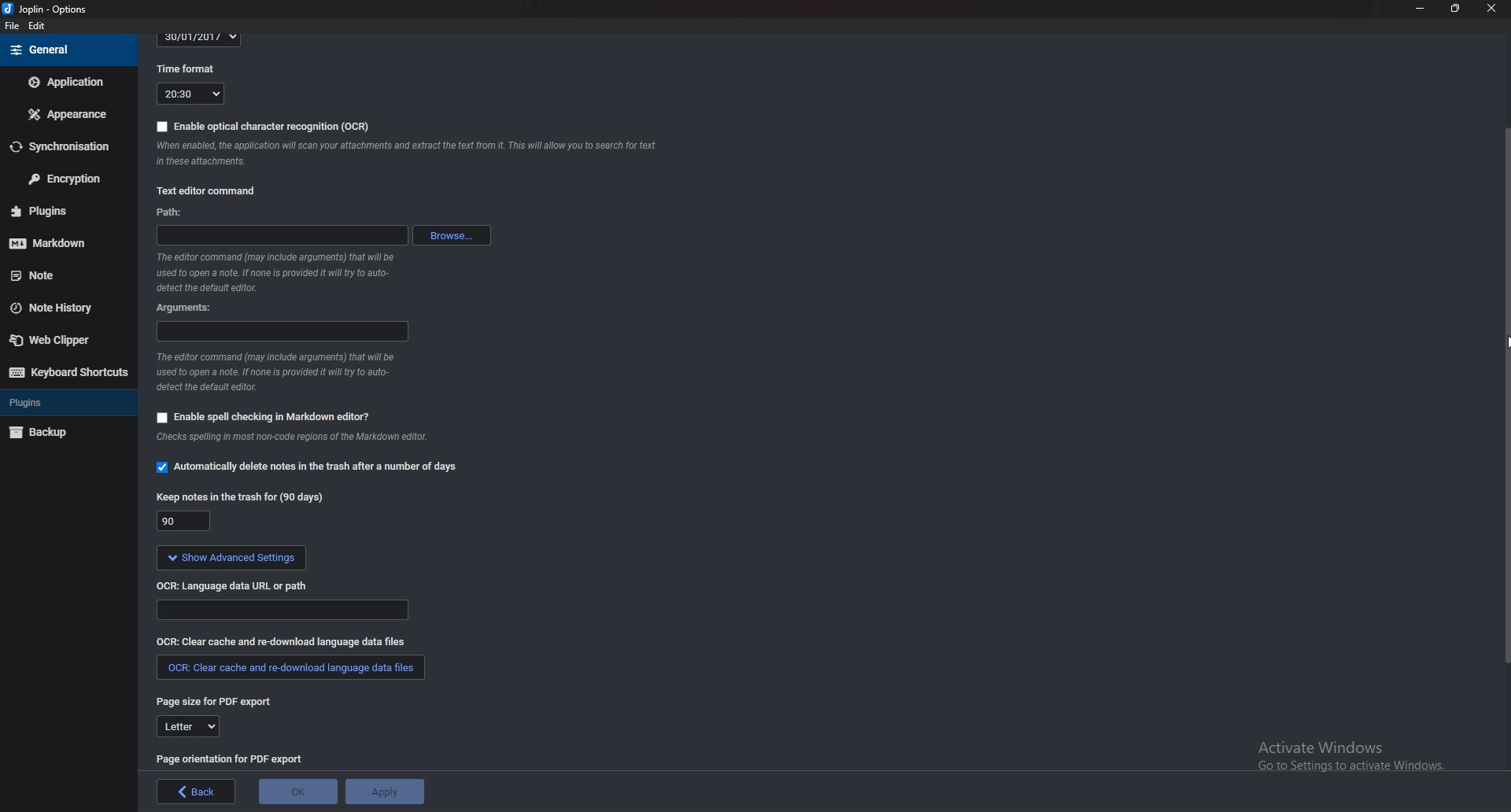 Image resolution: width=1511 pixels, height=812 pixels. I want to click on ocr Language data url or path, so click(235, 585).